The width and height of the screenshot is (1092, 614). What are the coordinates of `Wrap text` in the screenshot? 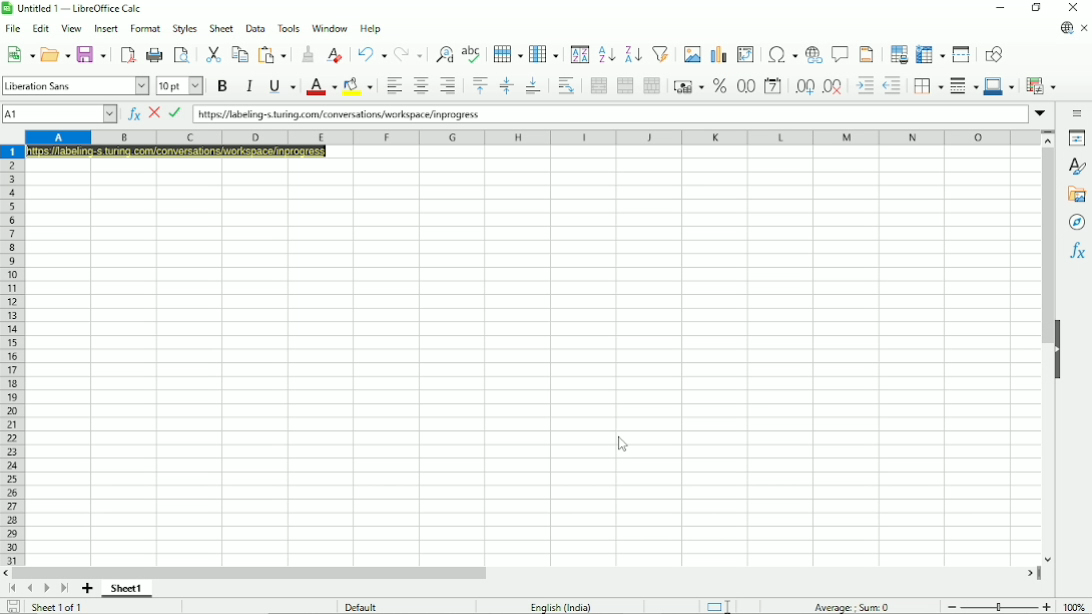 It's located at (567, 85).